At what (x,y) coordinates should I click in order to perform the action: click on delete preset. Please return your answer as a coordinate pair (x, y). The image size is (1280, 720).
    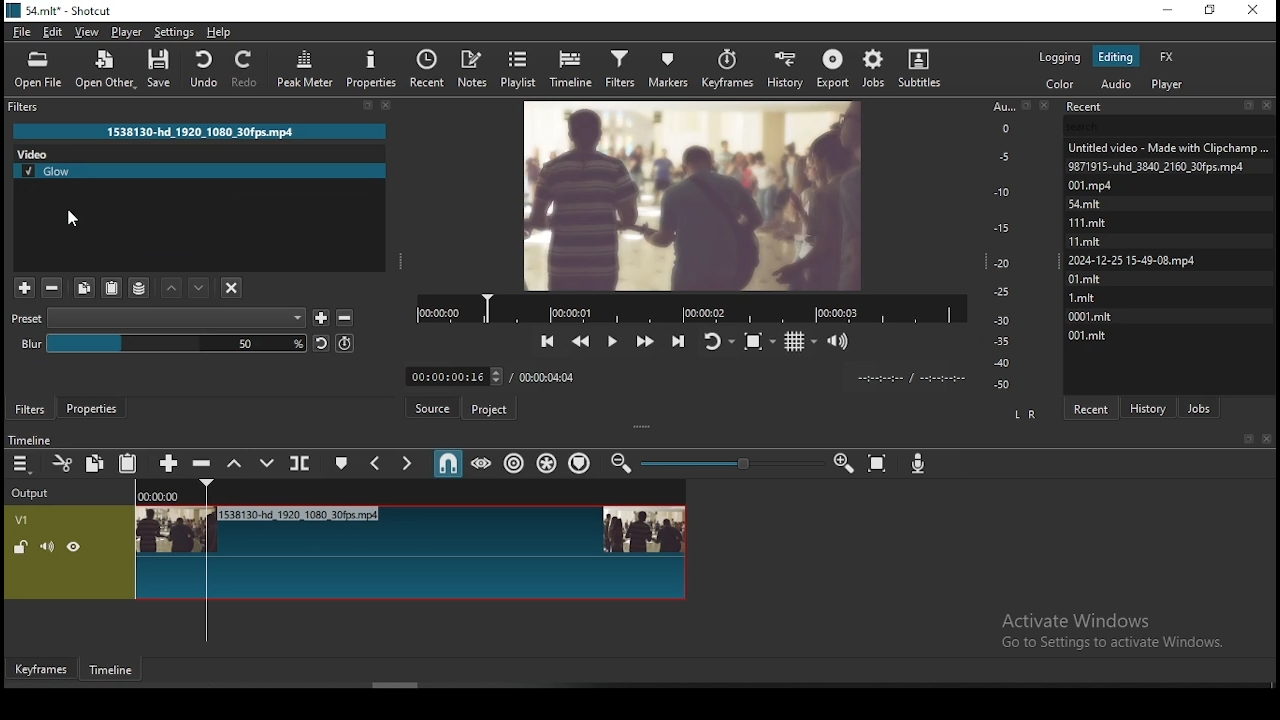
    Looking at the image, I should click on (346, 316).